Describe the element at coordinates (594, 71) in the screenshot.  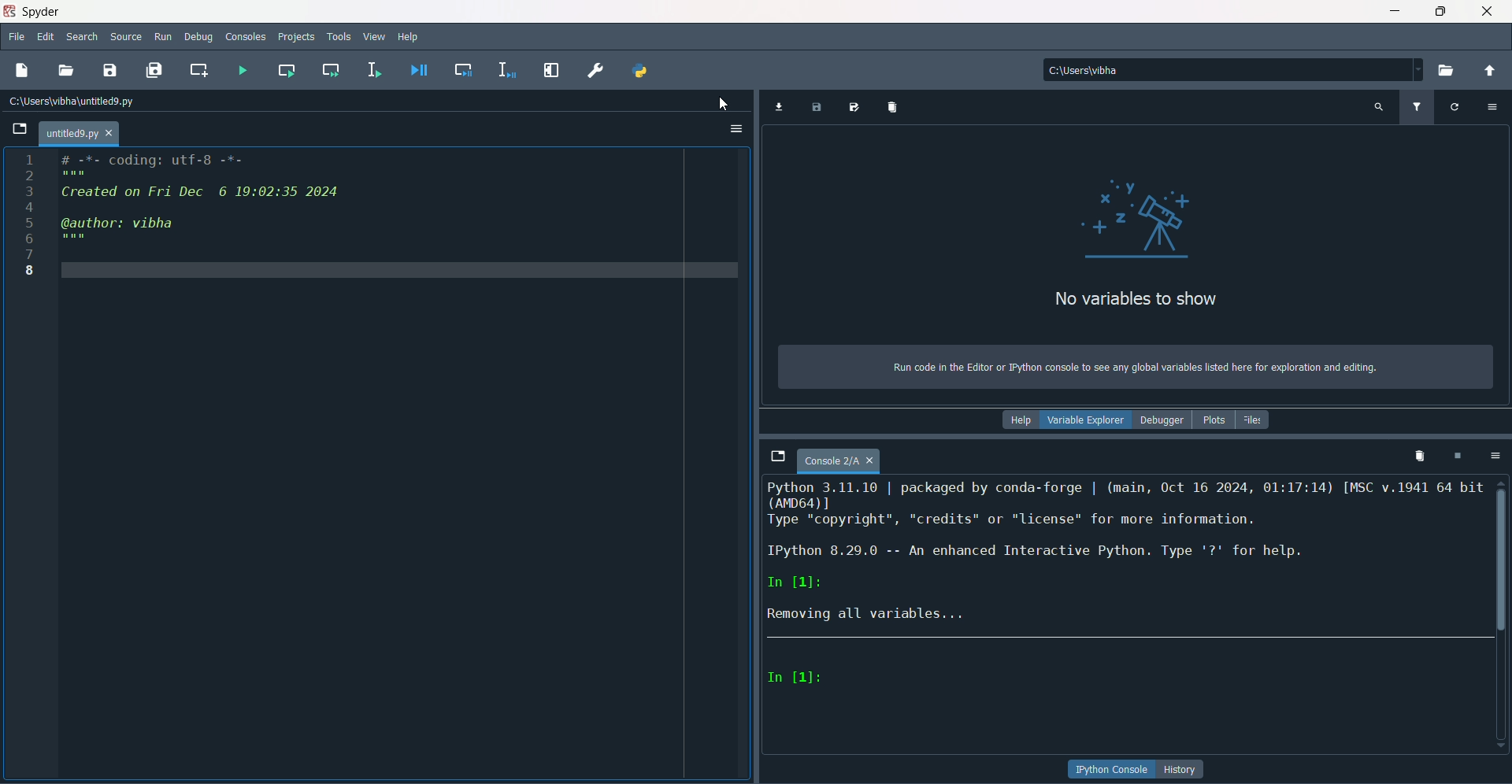
I see `preferences` at that location.